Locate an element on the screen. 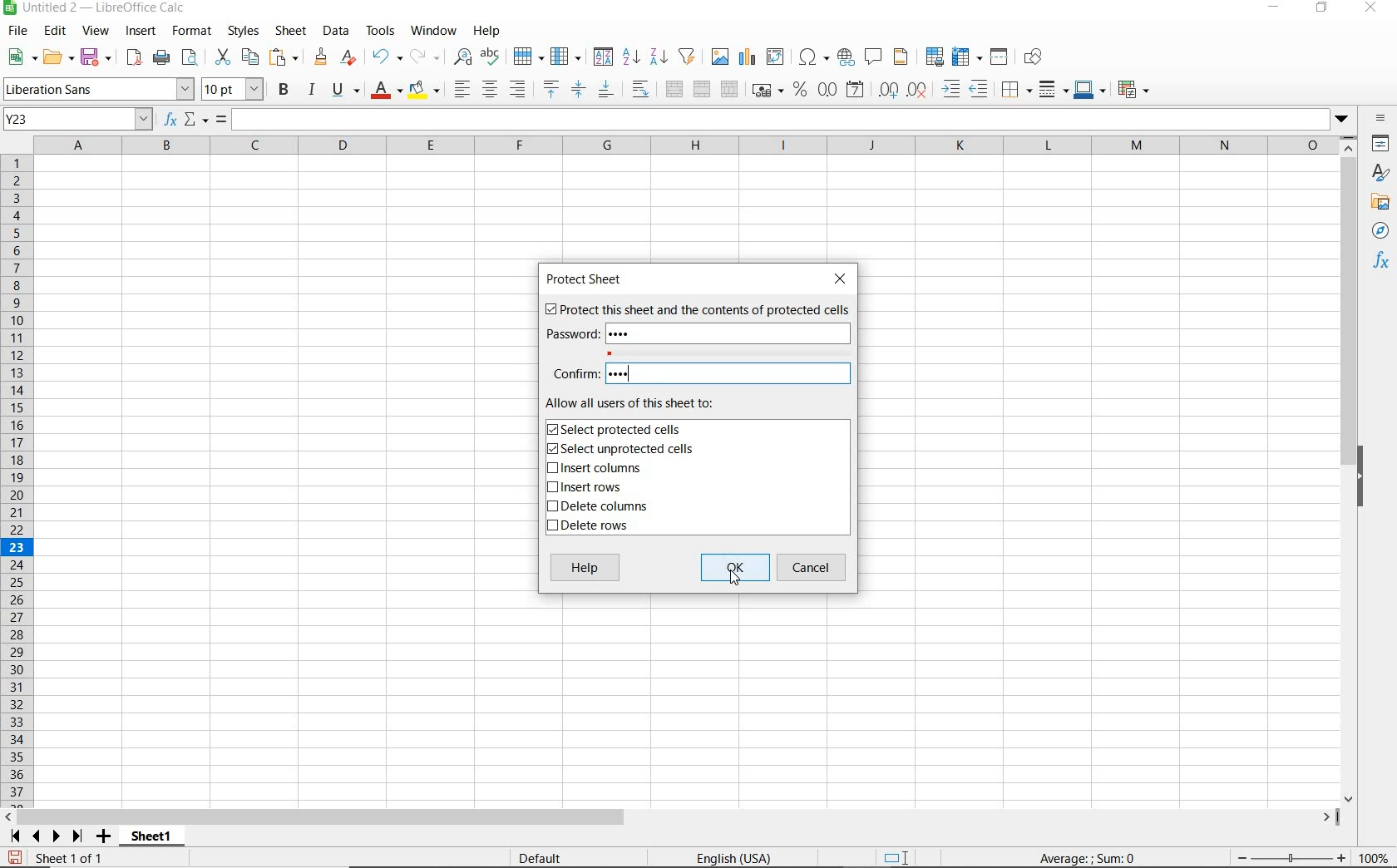 This screenshot has width=1397, height=868. CLONE FORMATTING is located at coordinates (322, 57).